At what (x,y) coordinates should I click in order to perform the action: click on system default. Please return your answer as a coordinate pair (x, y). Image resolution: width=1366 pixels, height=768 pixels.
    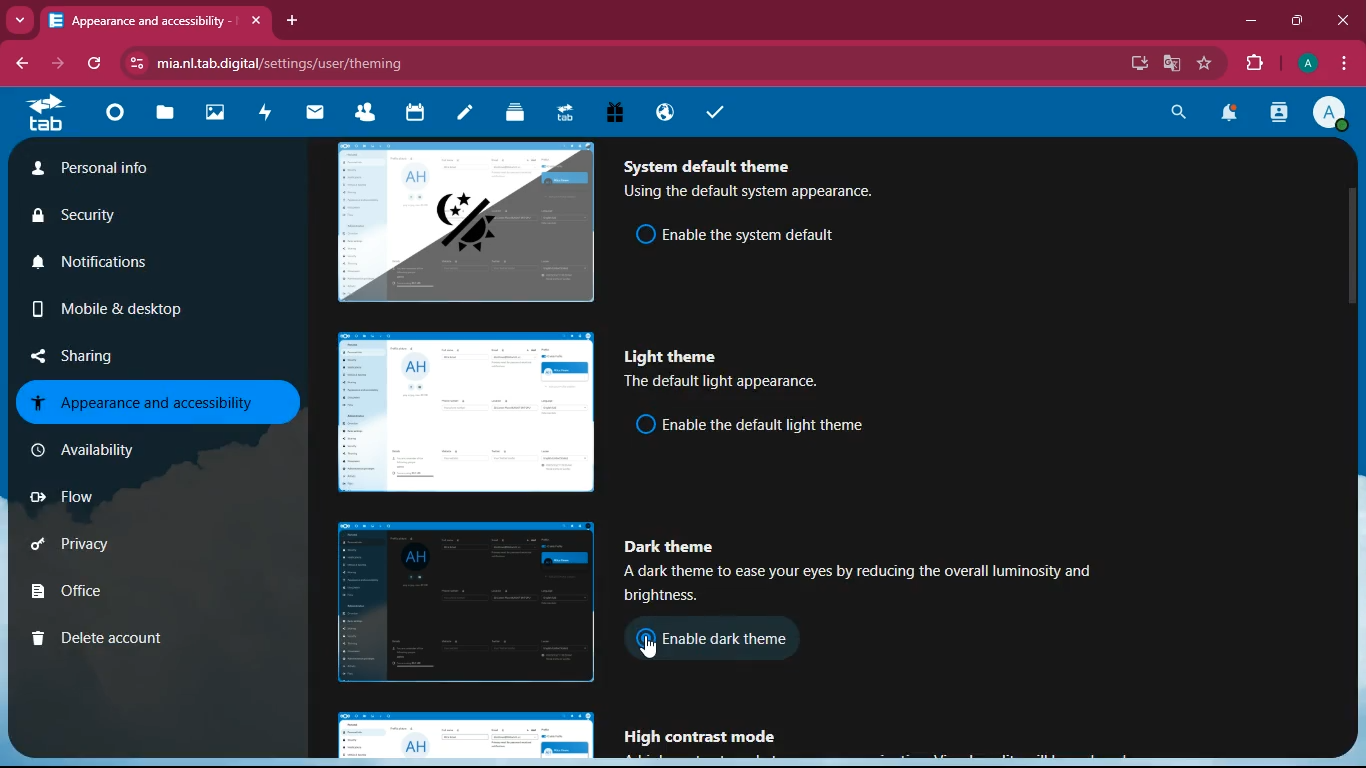
    Looking at the image, I should click on (711, 162).